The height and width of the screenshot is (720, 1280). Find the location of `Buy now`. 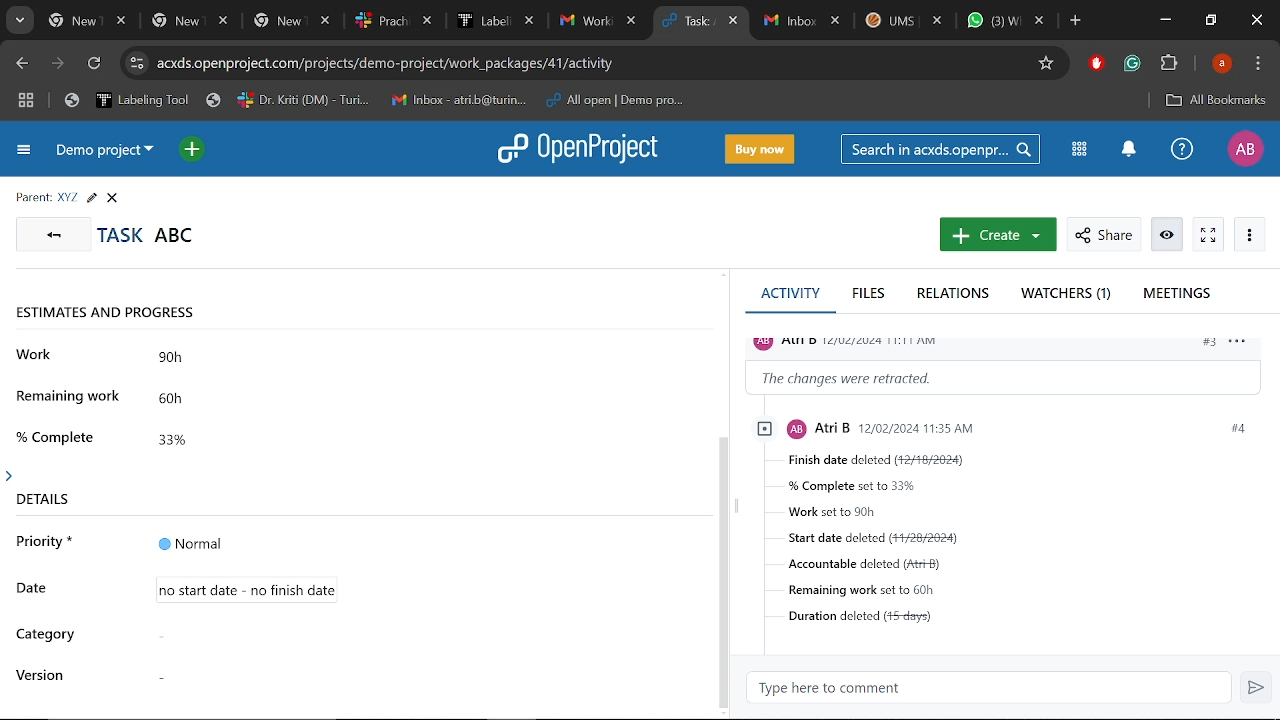

Buy now is located at coordinates (762, 150).